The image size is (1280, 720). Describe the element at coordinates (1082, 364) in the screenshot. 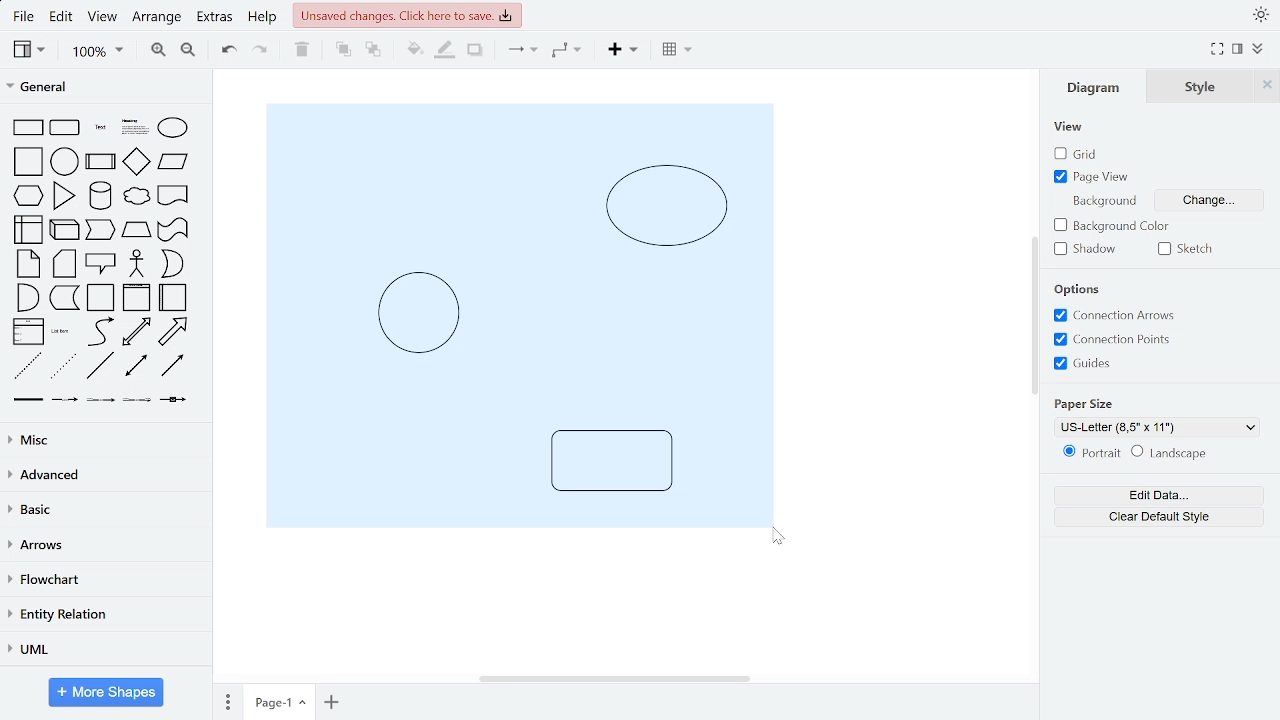

I see `guides` at that location.